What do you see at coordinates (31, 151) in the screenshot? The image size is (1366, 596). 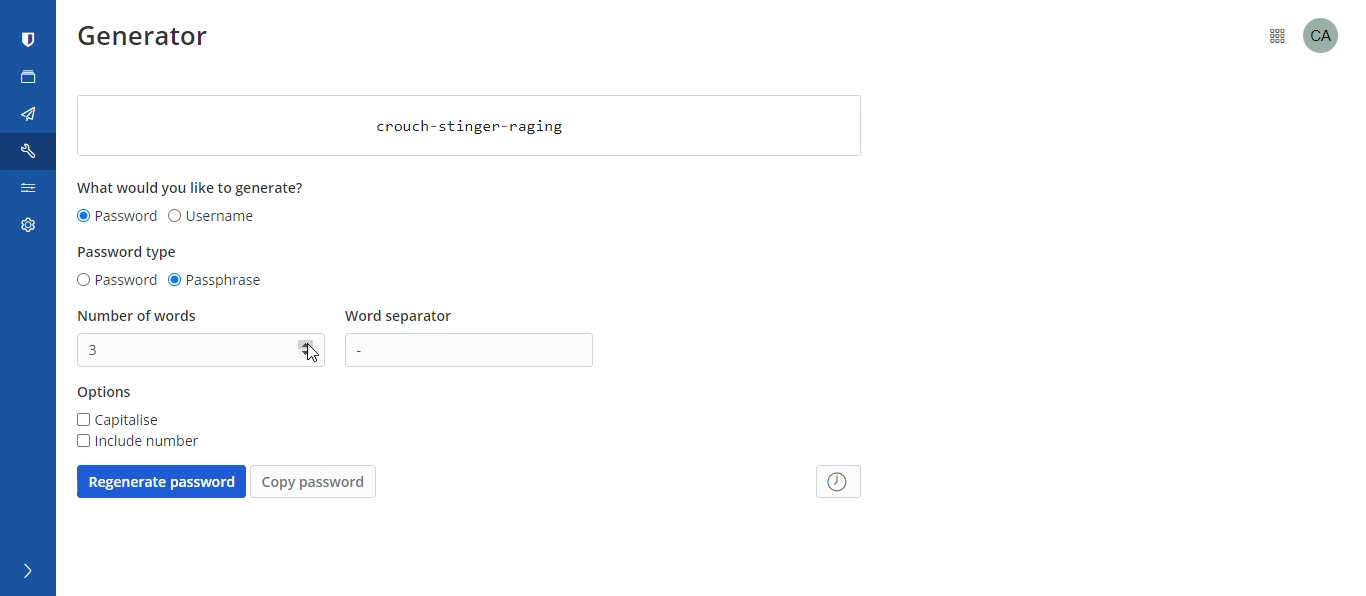 I see `tools` at bounding box center [31, 151].